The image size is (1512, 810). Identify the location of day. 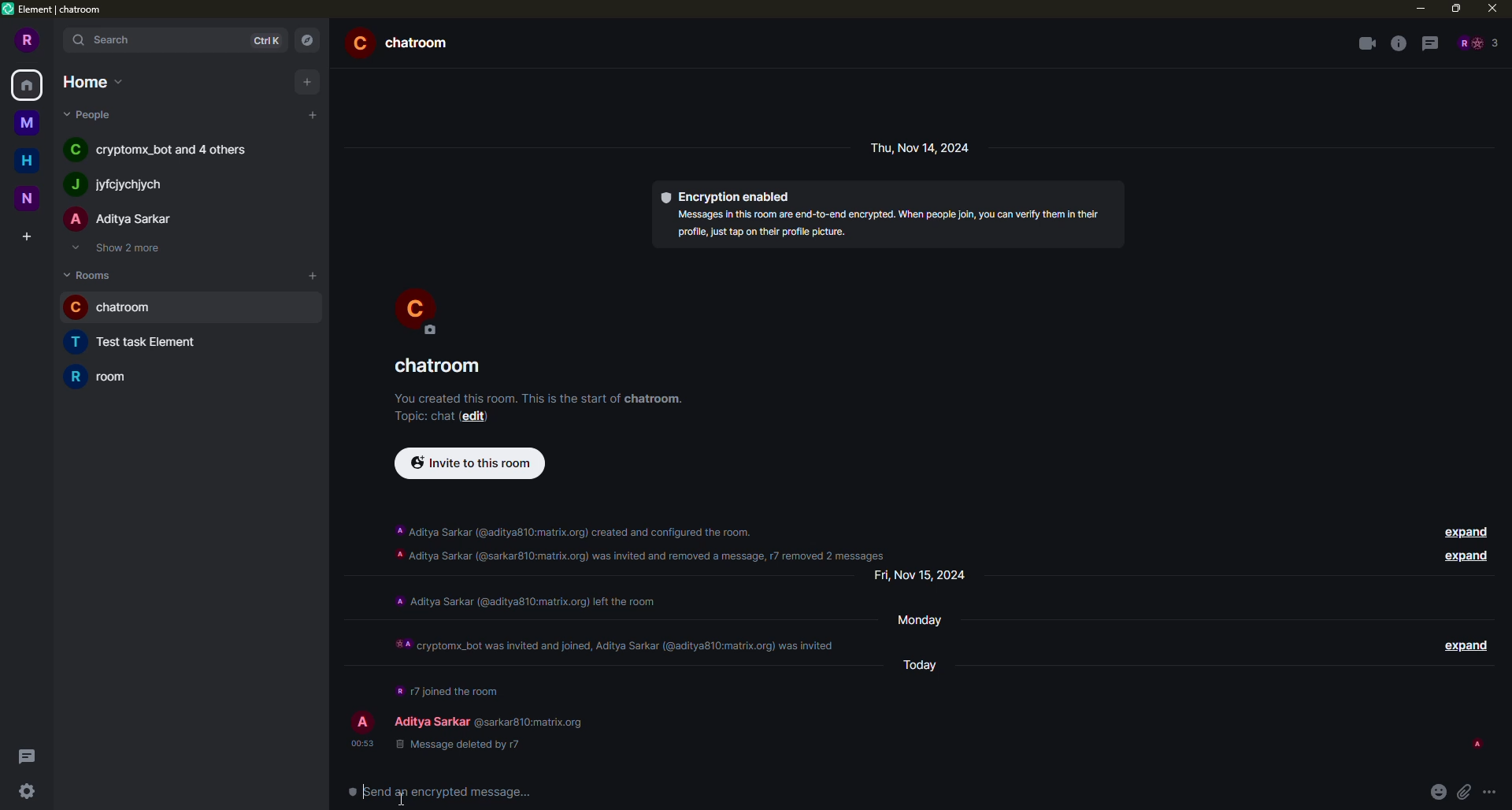
(928, 619).